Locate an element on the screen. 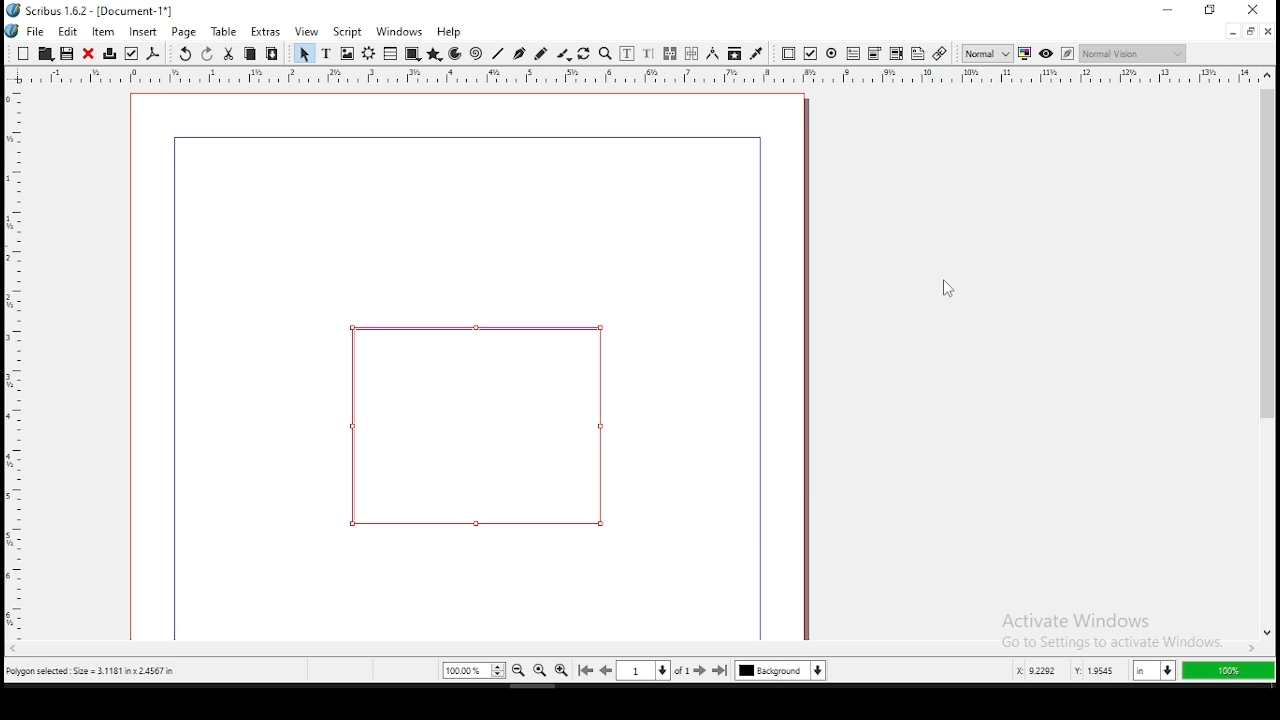  shape is located at coordinates (476, 426).